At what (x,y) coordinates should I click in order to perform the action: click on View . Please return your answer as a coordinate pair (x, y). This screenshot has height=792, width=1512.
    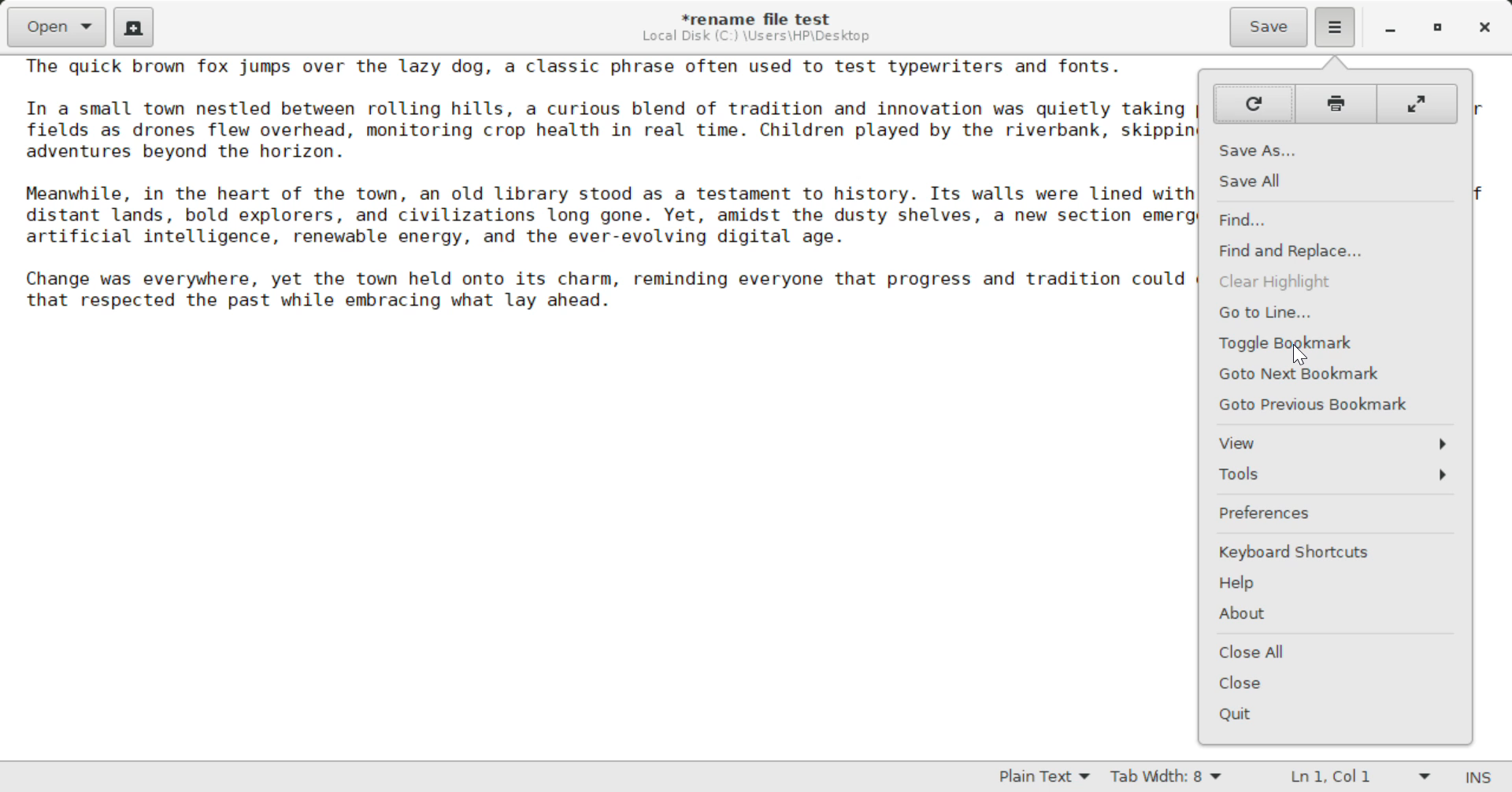
    Looking at the image, I should click on (1333, 442).